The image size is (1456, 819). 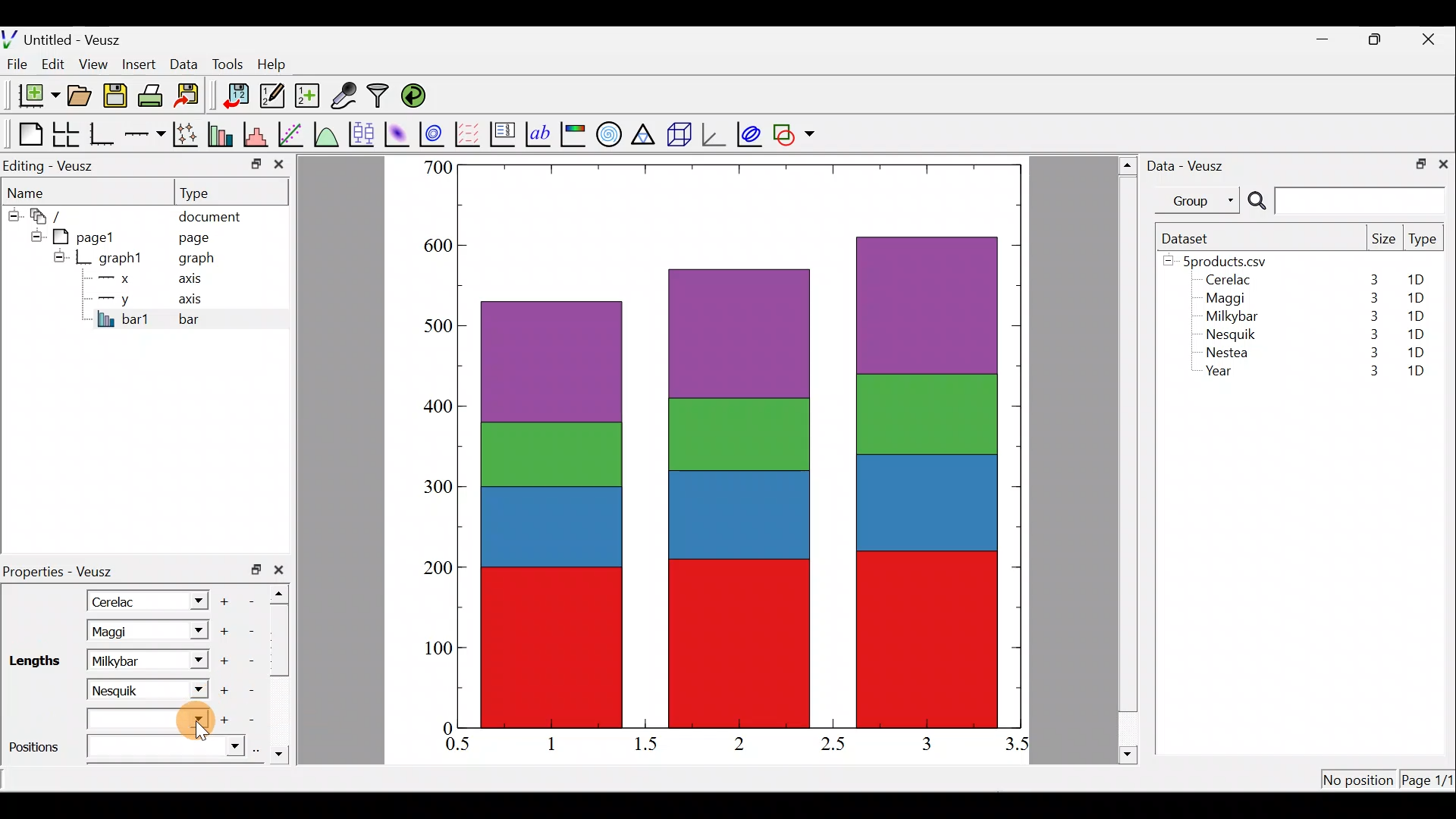 I want to click on 400, so click(x=440, y=407).